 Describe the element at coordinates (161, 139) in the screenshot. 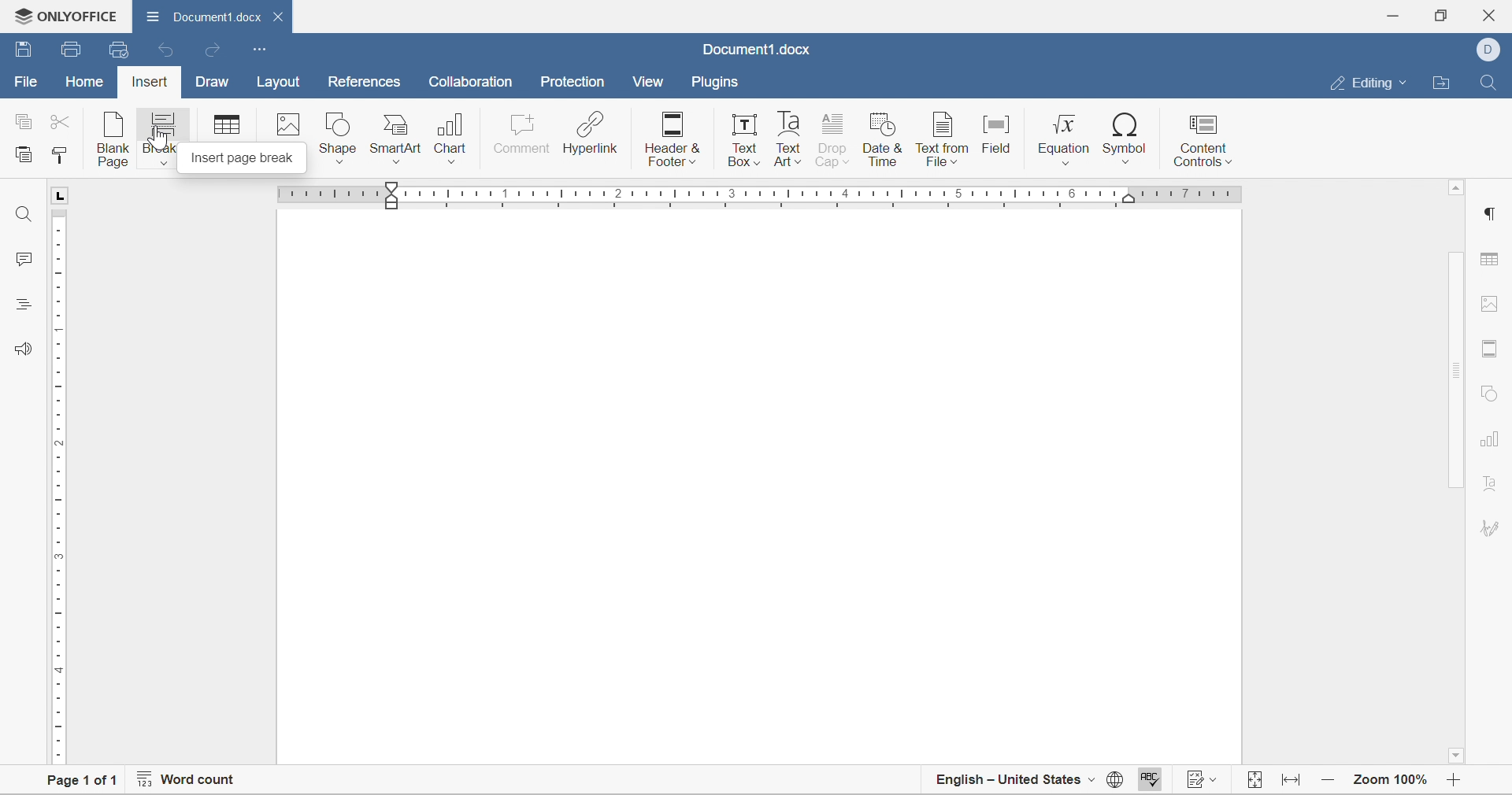

I see `Insert page break` at that location.